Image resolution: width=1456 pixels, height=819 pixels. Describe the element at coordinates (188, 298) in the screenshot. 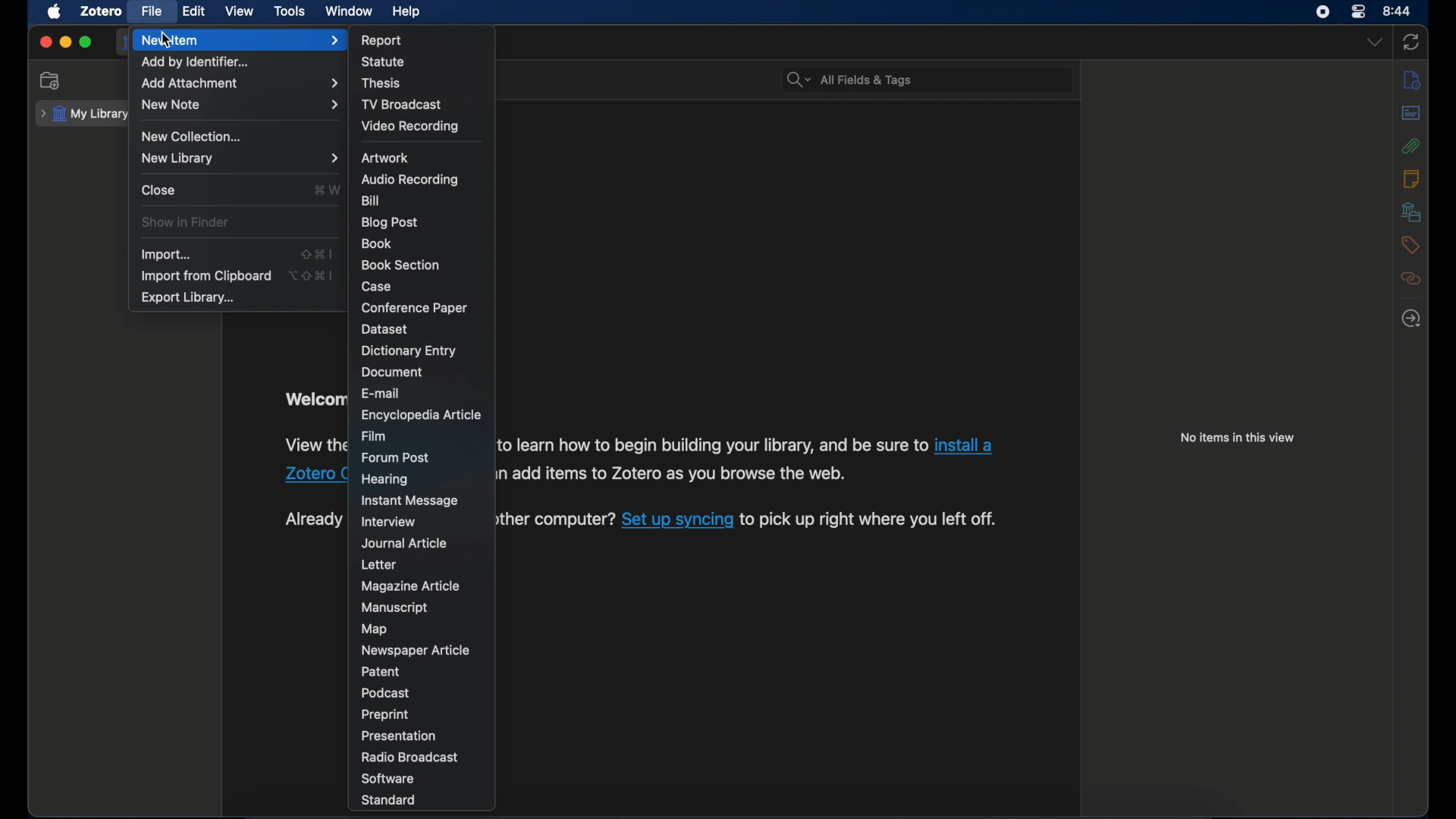

I see `export library` at that location.